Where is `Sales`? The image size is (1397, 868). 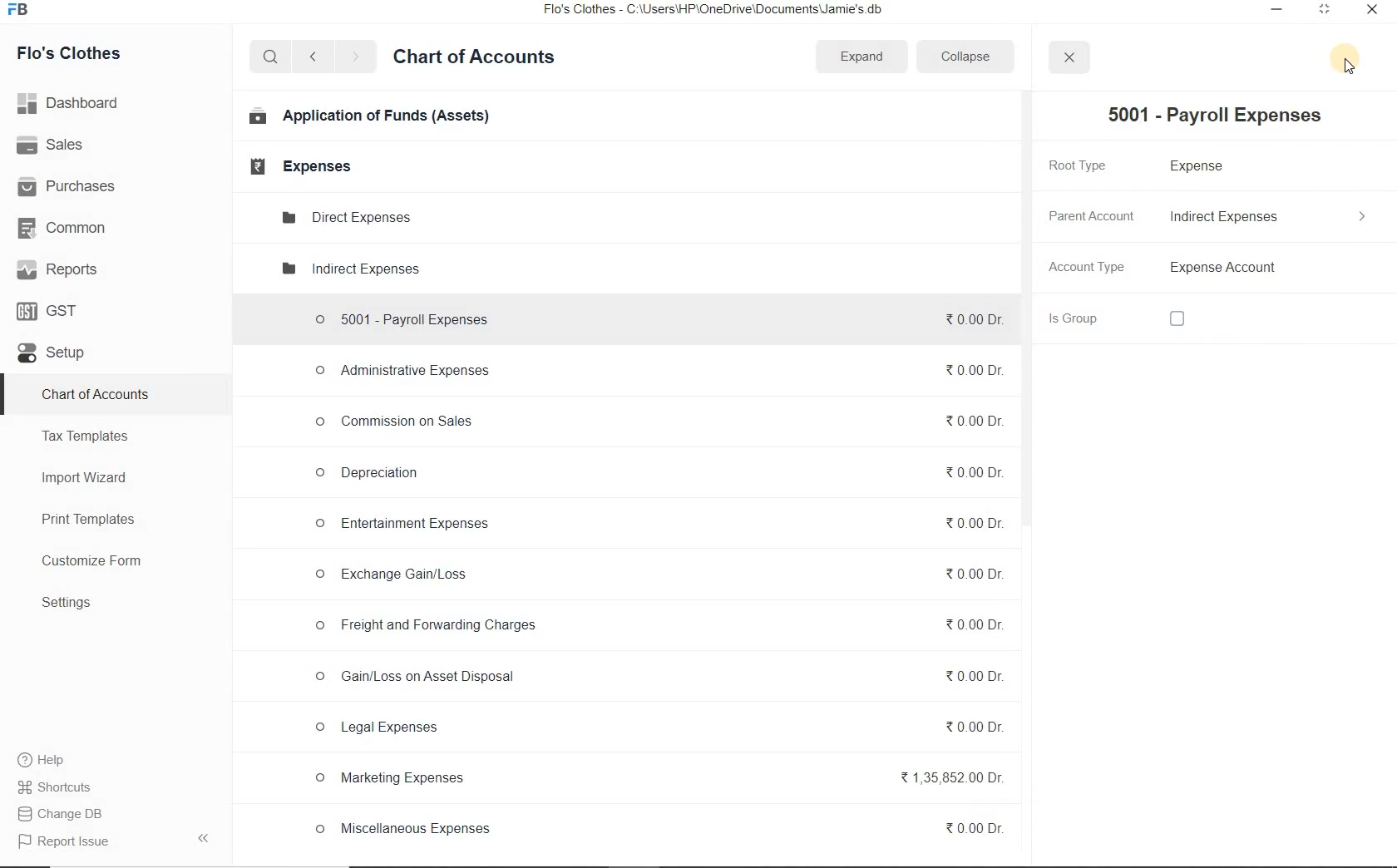 Sales is located at coordinates (53, 145).